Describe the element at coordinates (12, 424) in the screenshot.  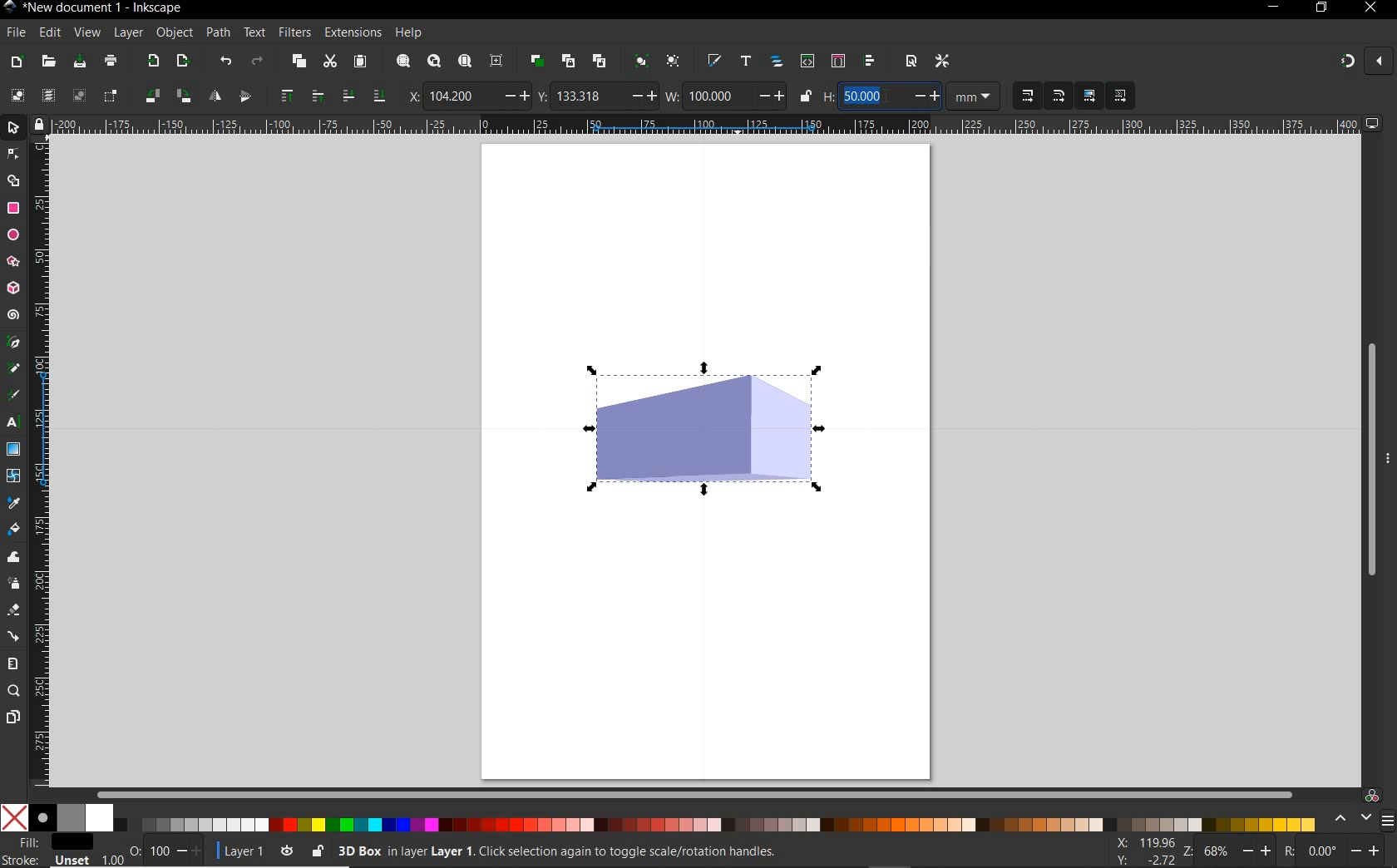
I see `text tool` at that location.